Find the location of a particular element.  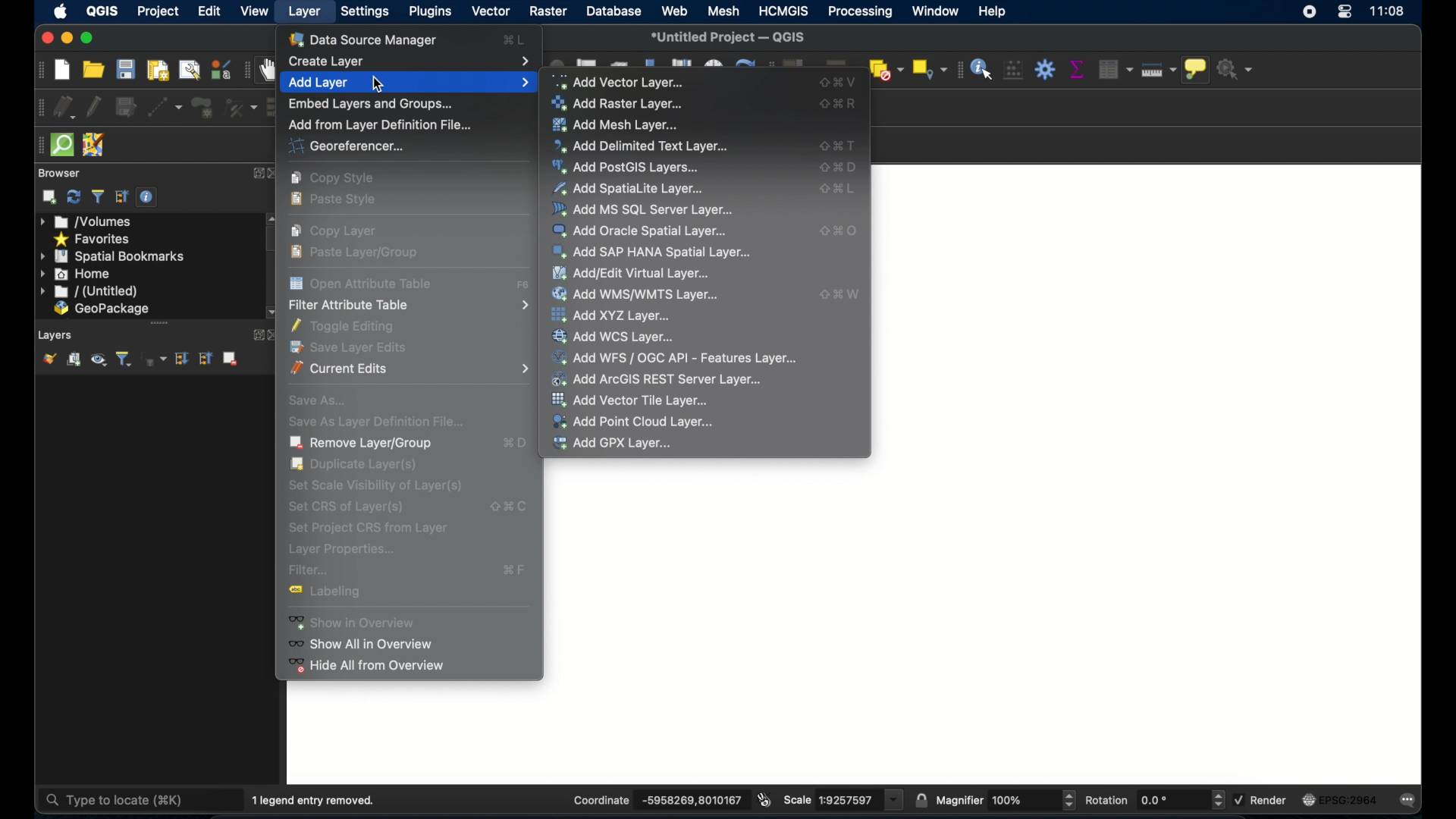

current edits is located at coordinates (64, 107).